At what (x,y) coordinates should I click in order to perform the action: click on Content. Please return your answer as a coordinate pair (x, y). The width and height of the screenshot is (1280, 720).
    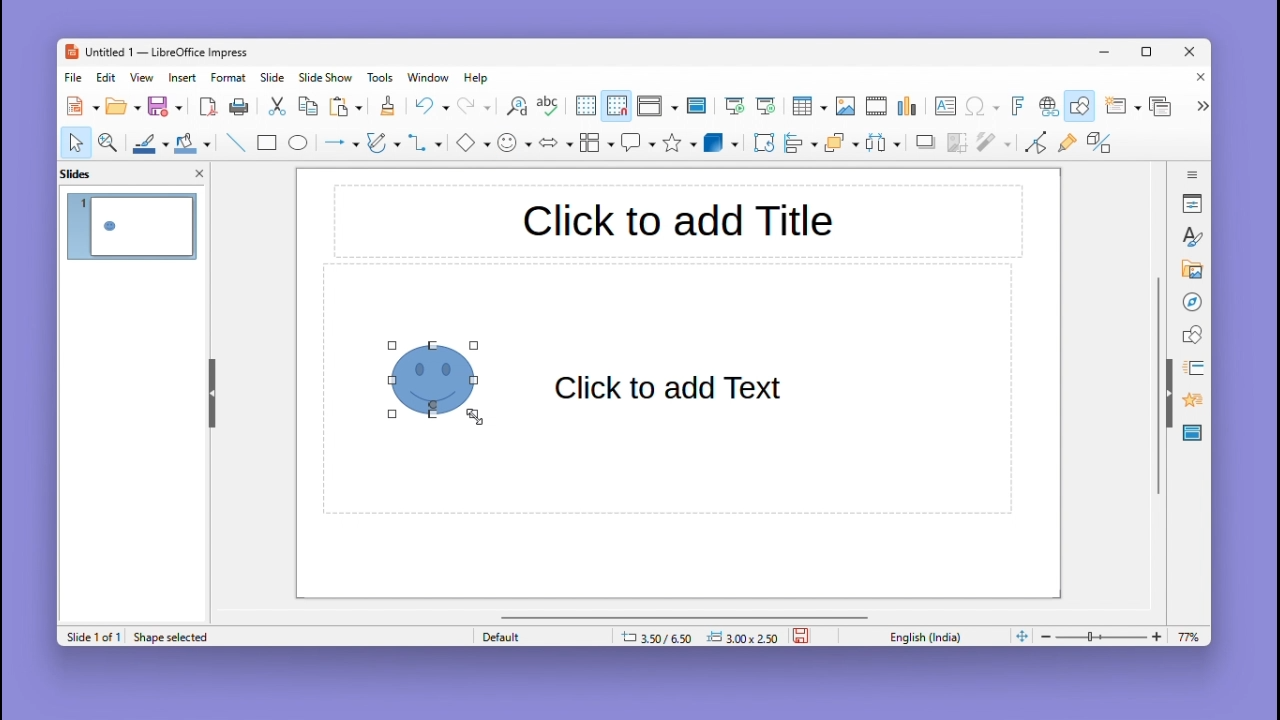
    Looking at the image, I should click on (672, 389).